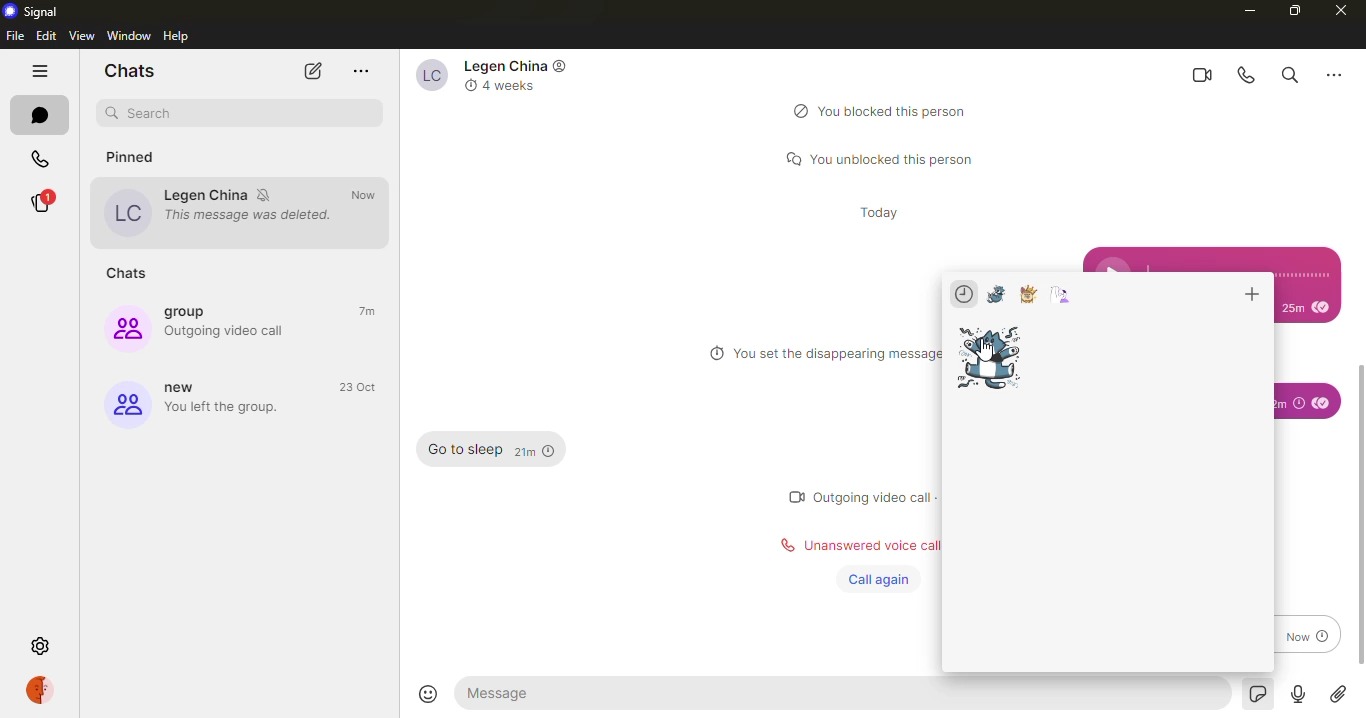  Describe the element at coordinates (360, 70) in the screenshot. I see `more` at that location.